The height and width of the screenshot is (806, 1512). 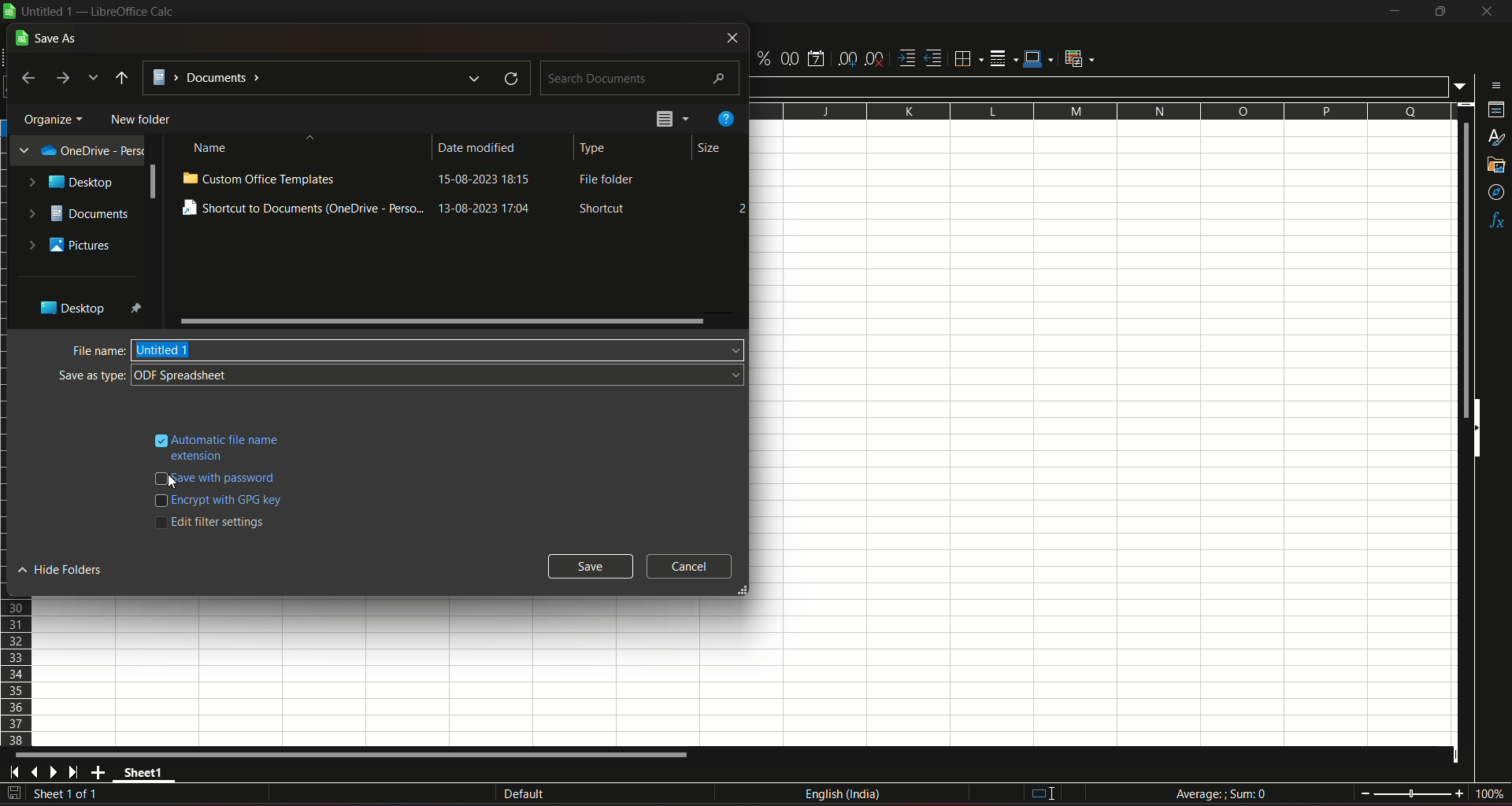 I want to click on vertical scroll bar, so click(x=1462, y=272).